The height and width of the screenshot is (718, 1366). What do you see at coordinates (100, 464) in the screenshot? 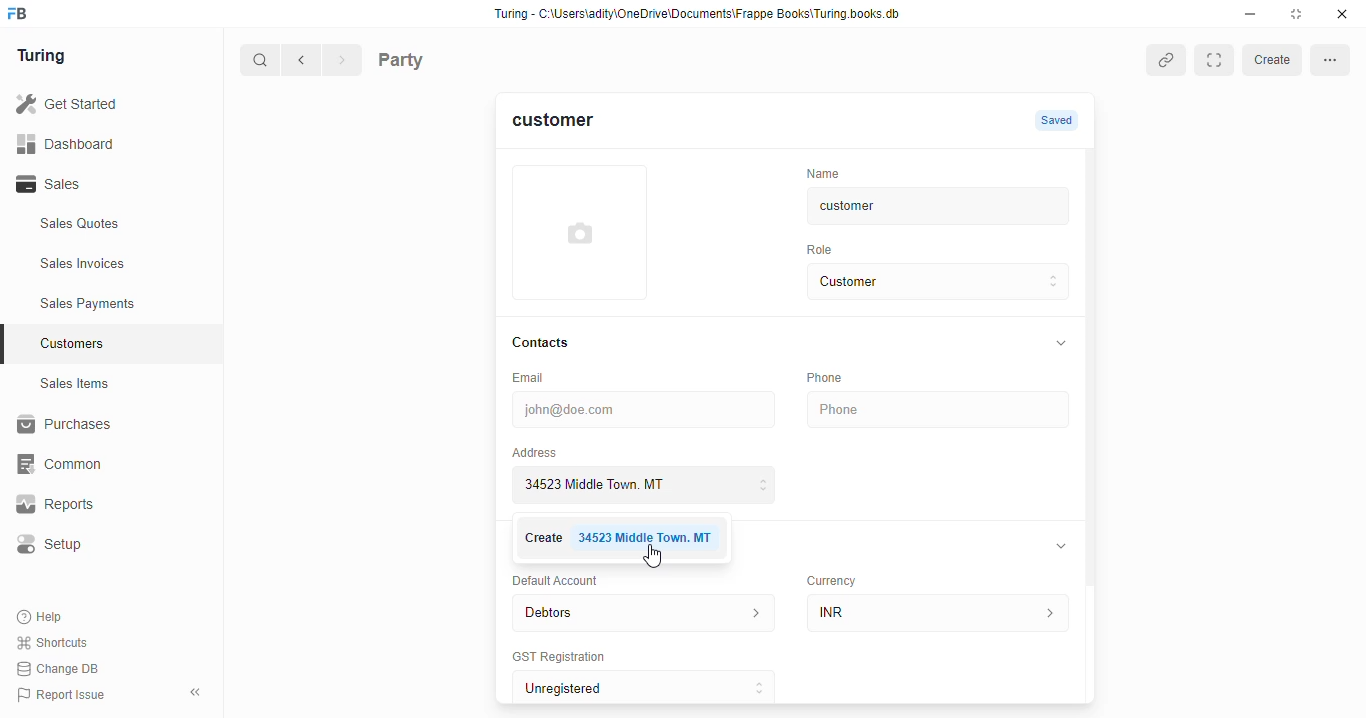
I see `‘Common` at bounding box center [100, 464].